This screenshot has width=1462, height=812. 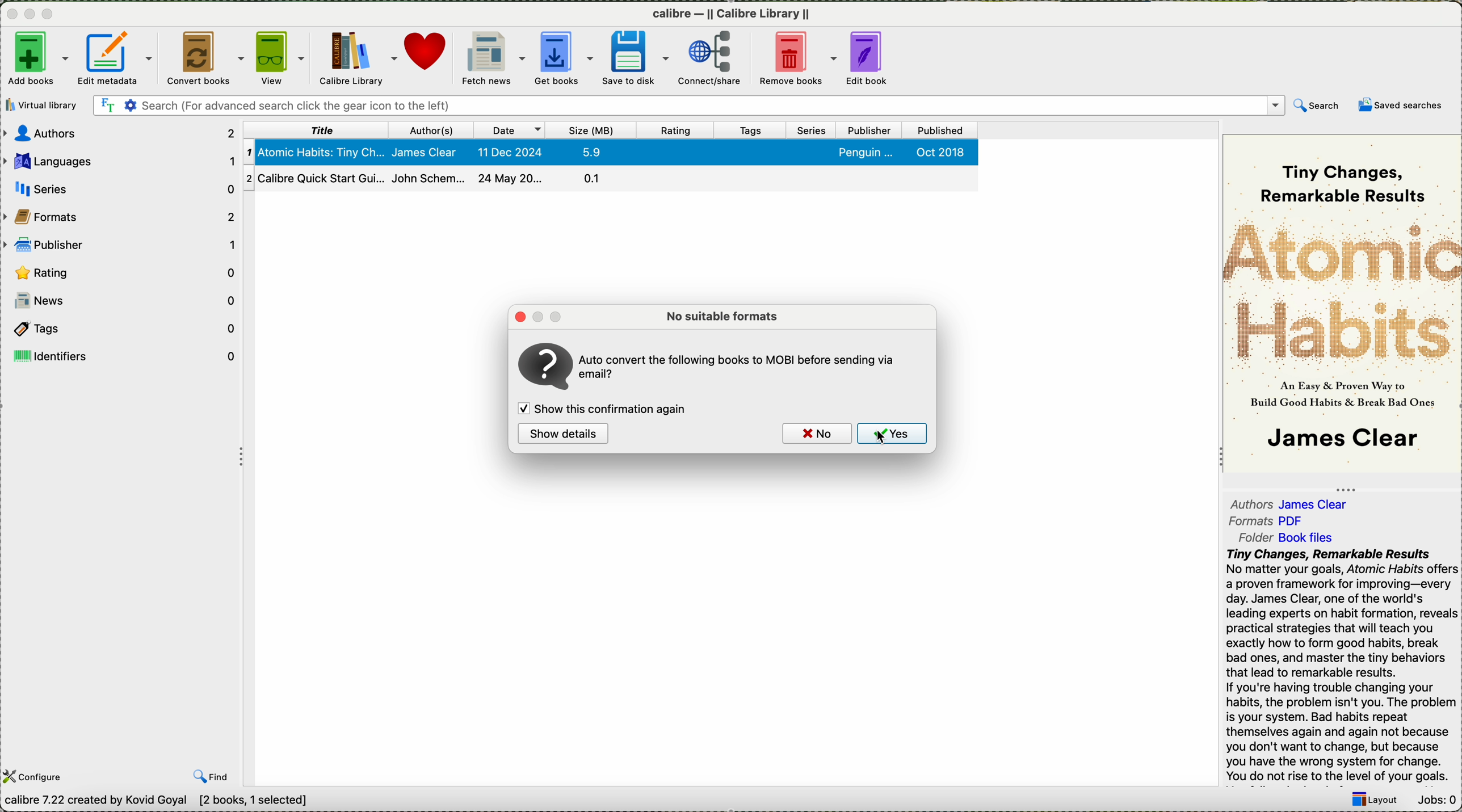 What do you see at coordinates (883, 437) in the screenshot?
I see `cursor` at bounding box center [883, 437].